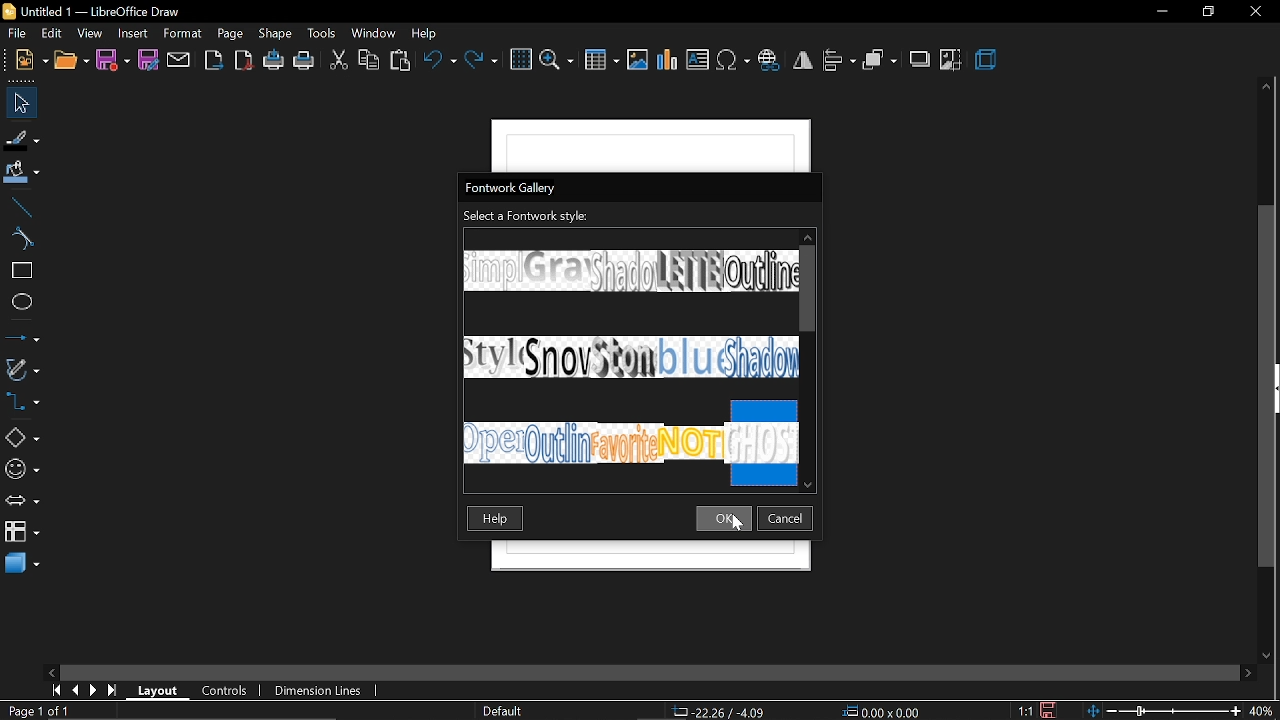 Image resolution: width=1280 pixels, height=720 pixels. What do you see at coordinates (628, 346) in the screenshot?
I see `fontwork styles` at bounding box center [628, 346].